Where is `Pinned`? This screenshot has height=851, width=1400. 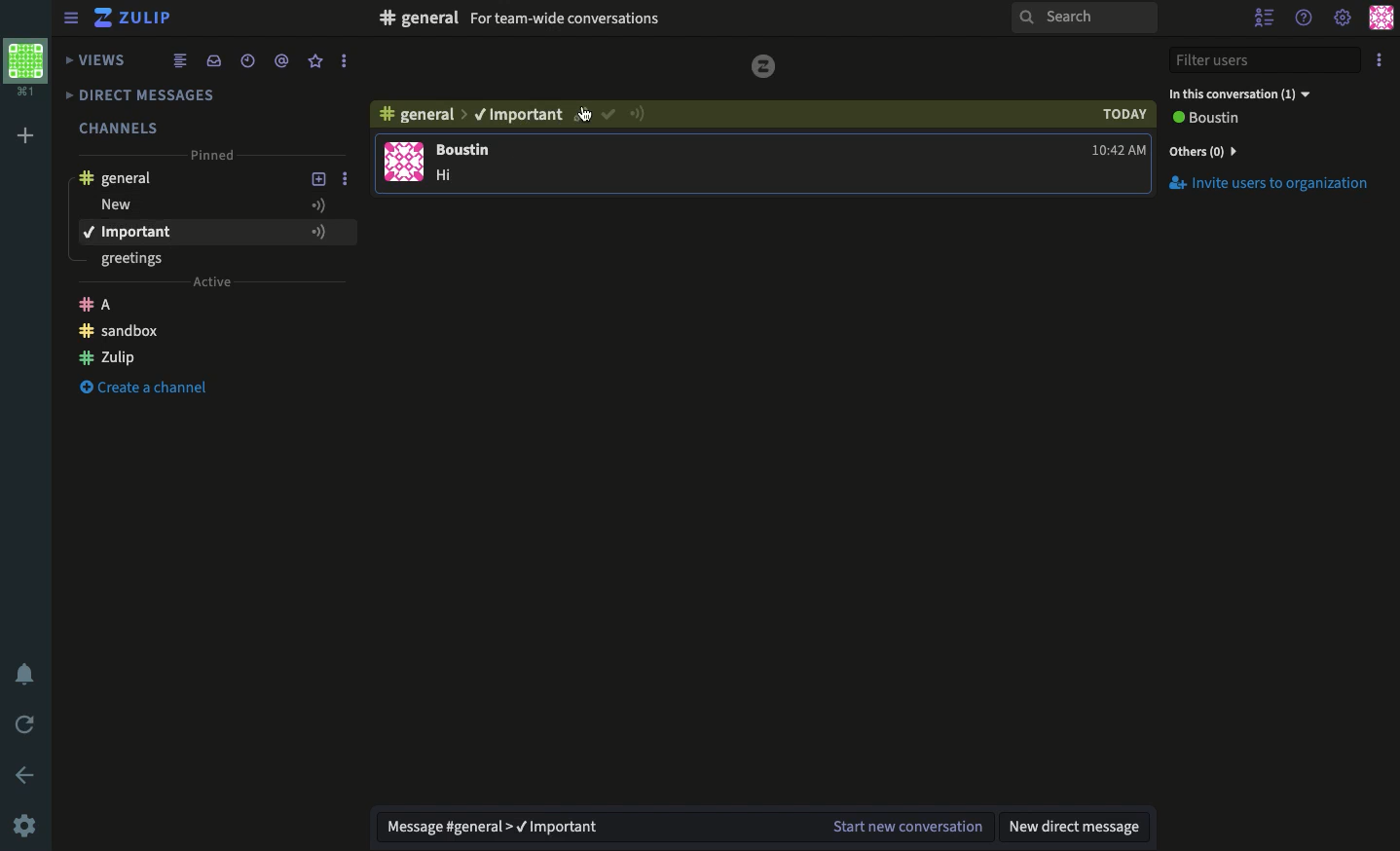
Pinned is located at coordinates (216, 157).